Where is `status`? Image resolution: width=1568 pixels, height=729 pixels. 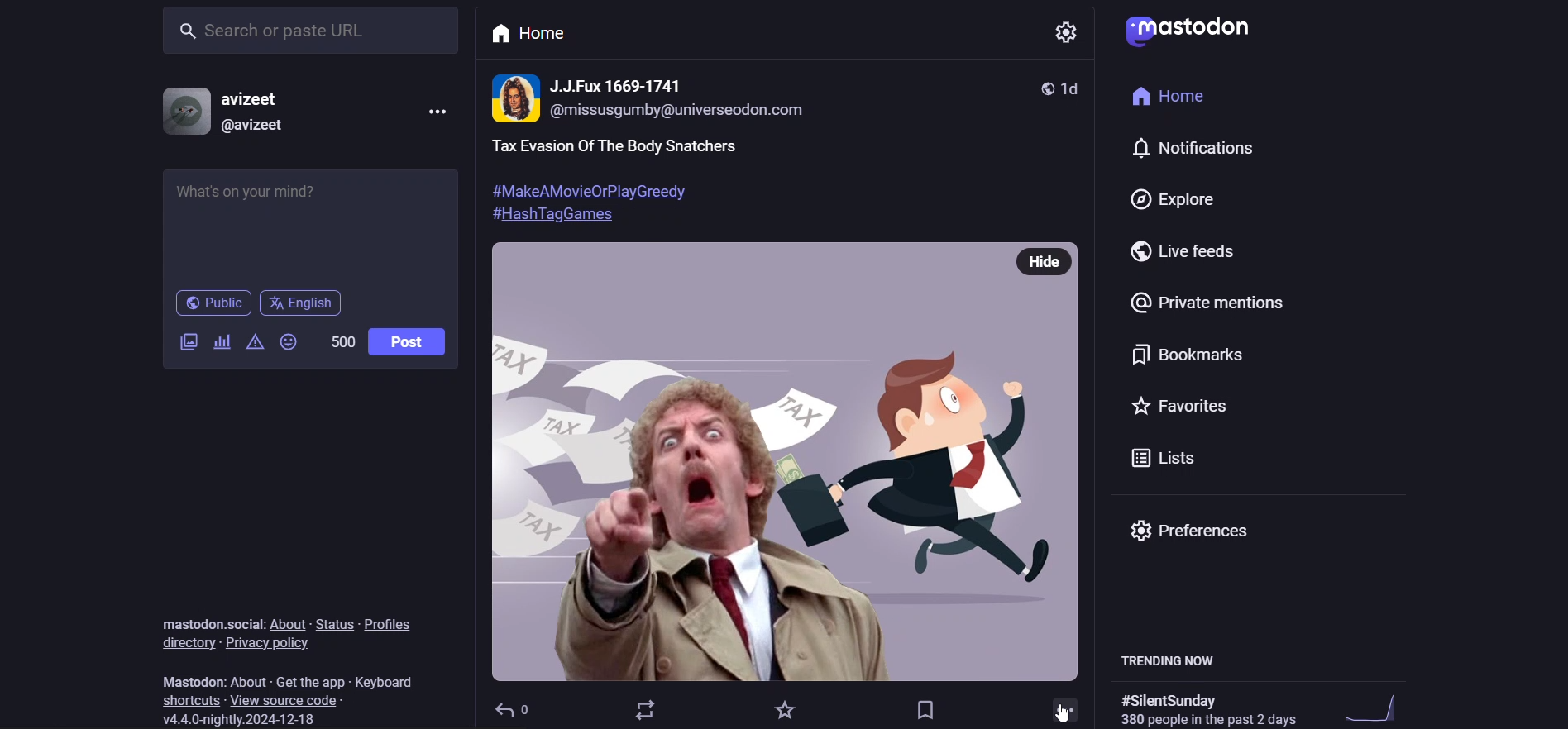 status is located at coordinates (334, 622).